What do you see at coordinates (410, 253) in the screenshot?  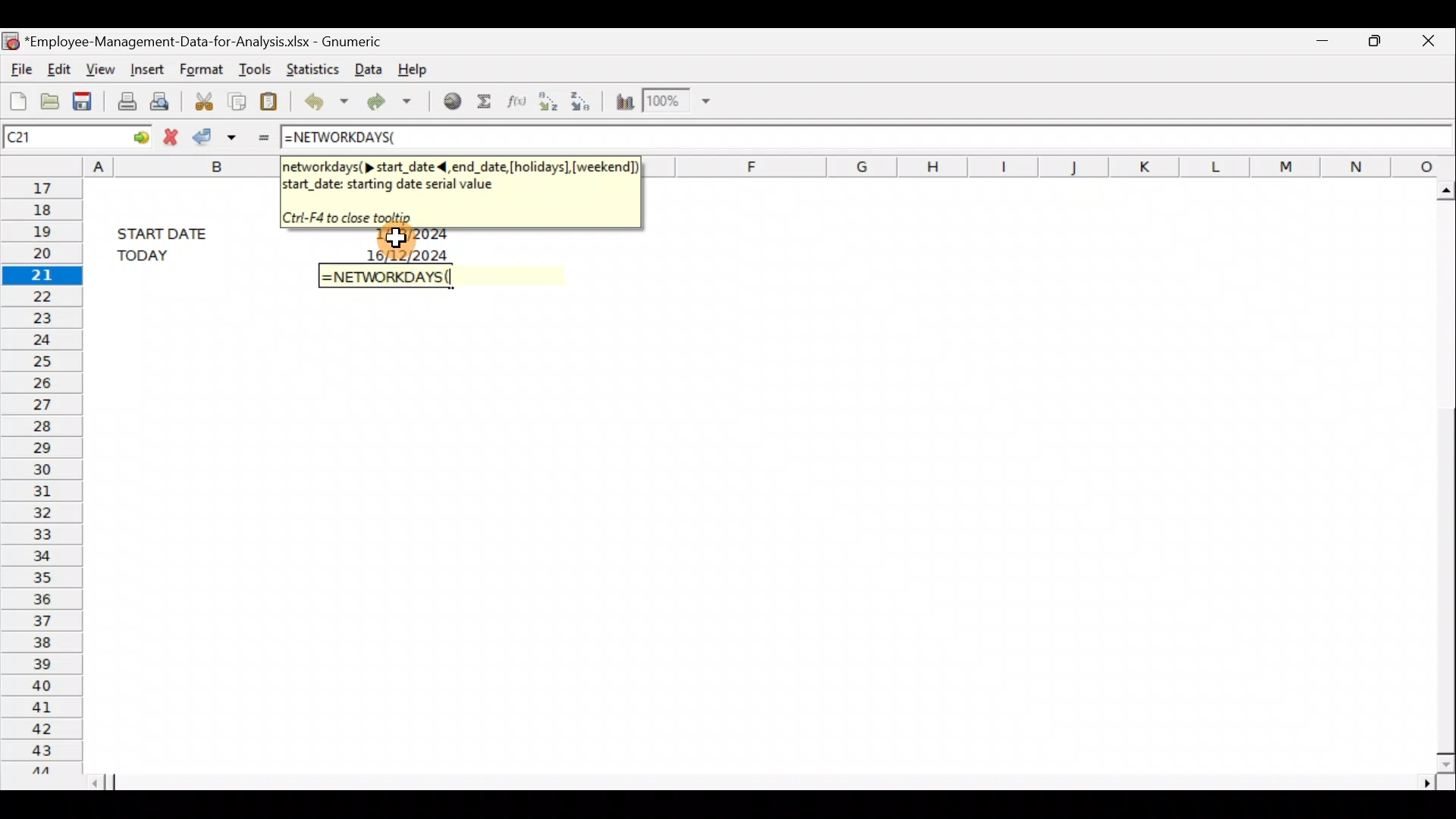 I see `16/12/2024` at bounding box center [410, 253].